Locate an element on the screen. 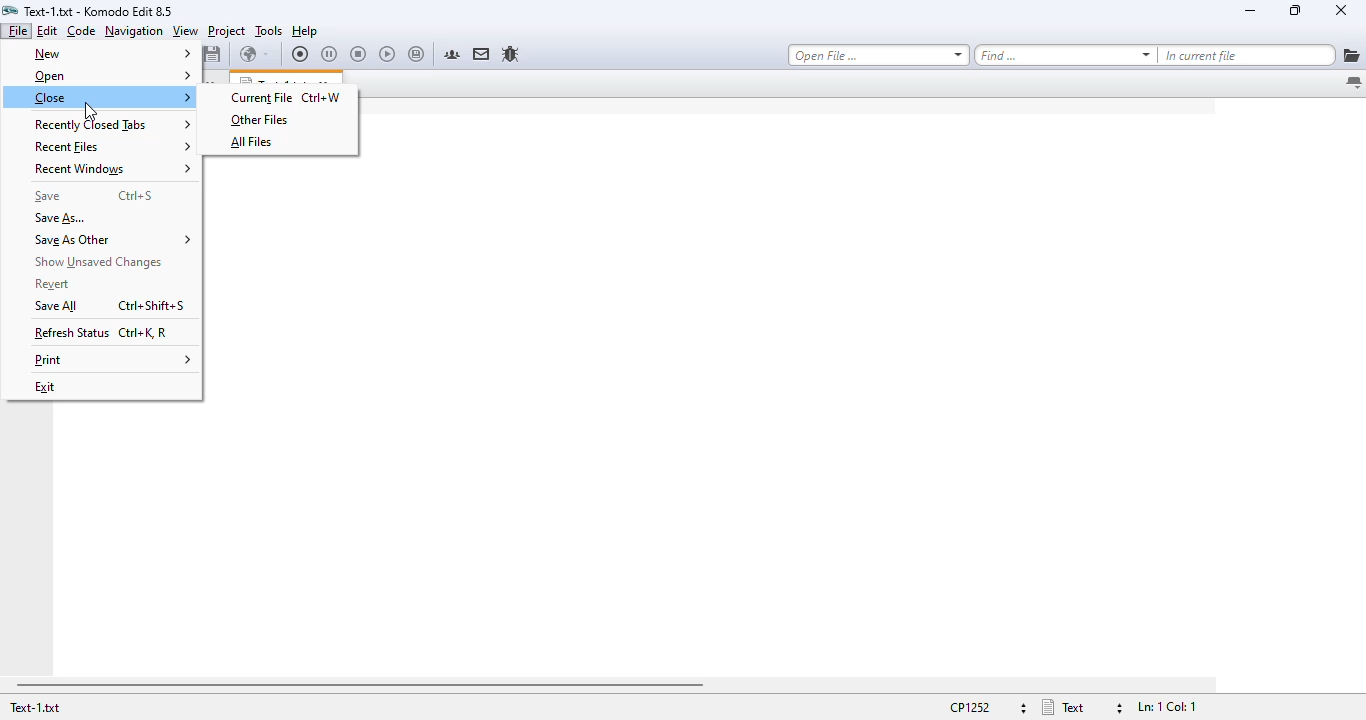 Image resolution: width=1366 pixels, height=720 pixels. all files is located at coordinates (251, 142).